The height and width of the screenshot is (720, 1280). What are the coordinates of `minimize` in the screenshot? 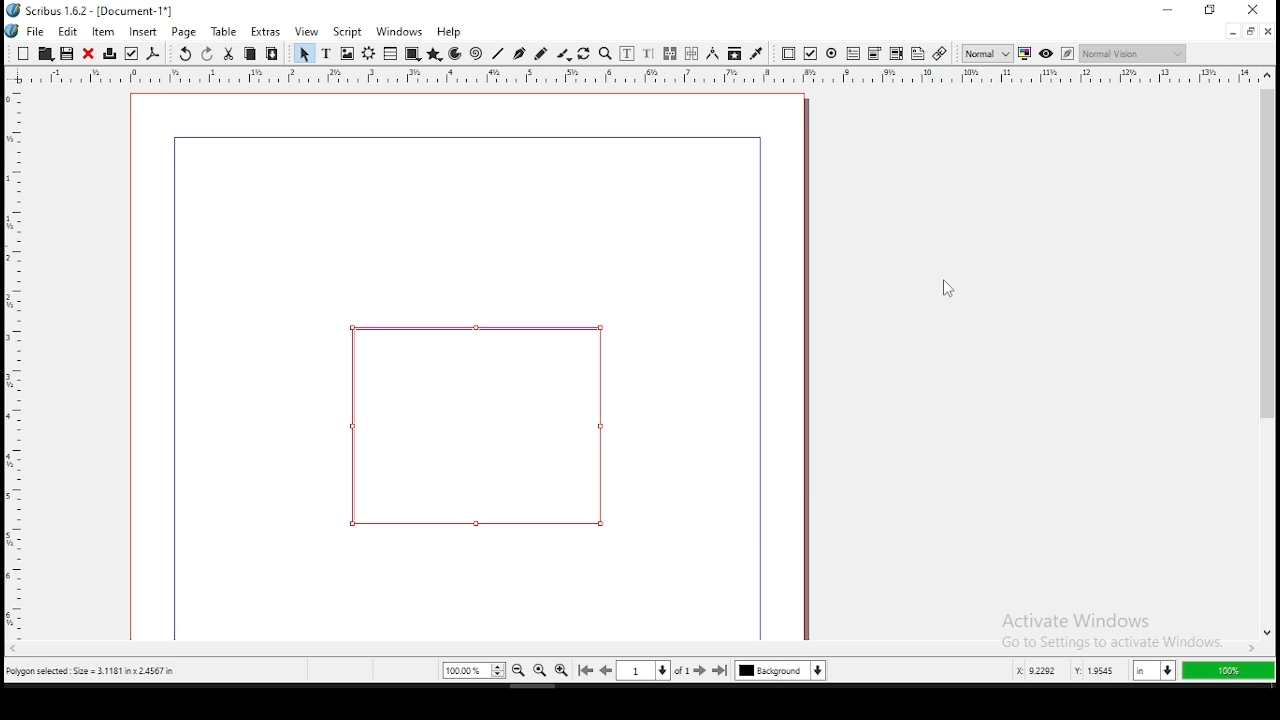 It's located at (1232, 33).